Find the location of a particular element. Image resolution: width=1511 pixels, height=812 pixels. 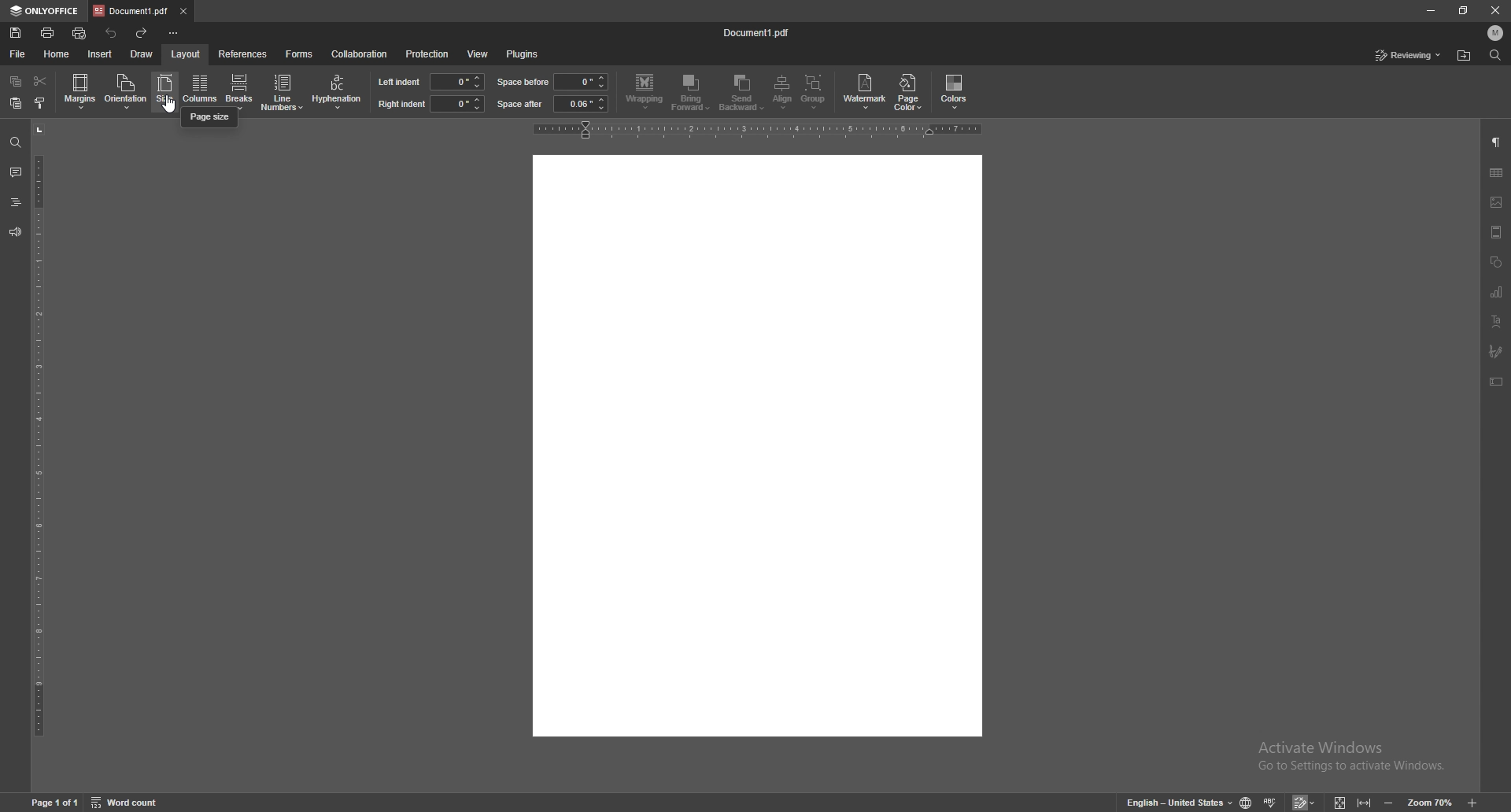

insert is located at coordinates (100, 54).